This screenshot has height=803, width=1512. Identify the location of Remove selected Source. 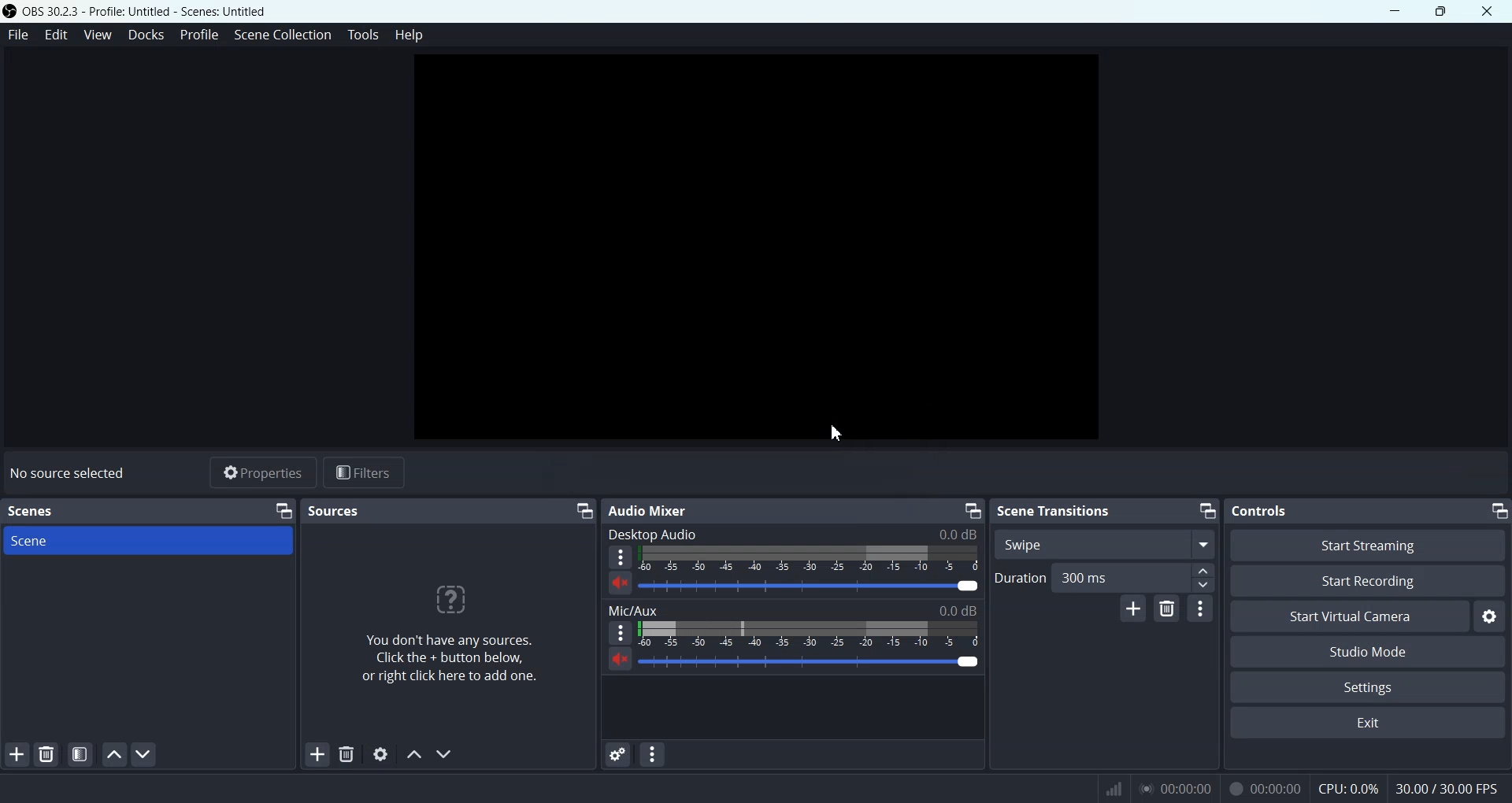
(348, 754).